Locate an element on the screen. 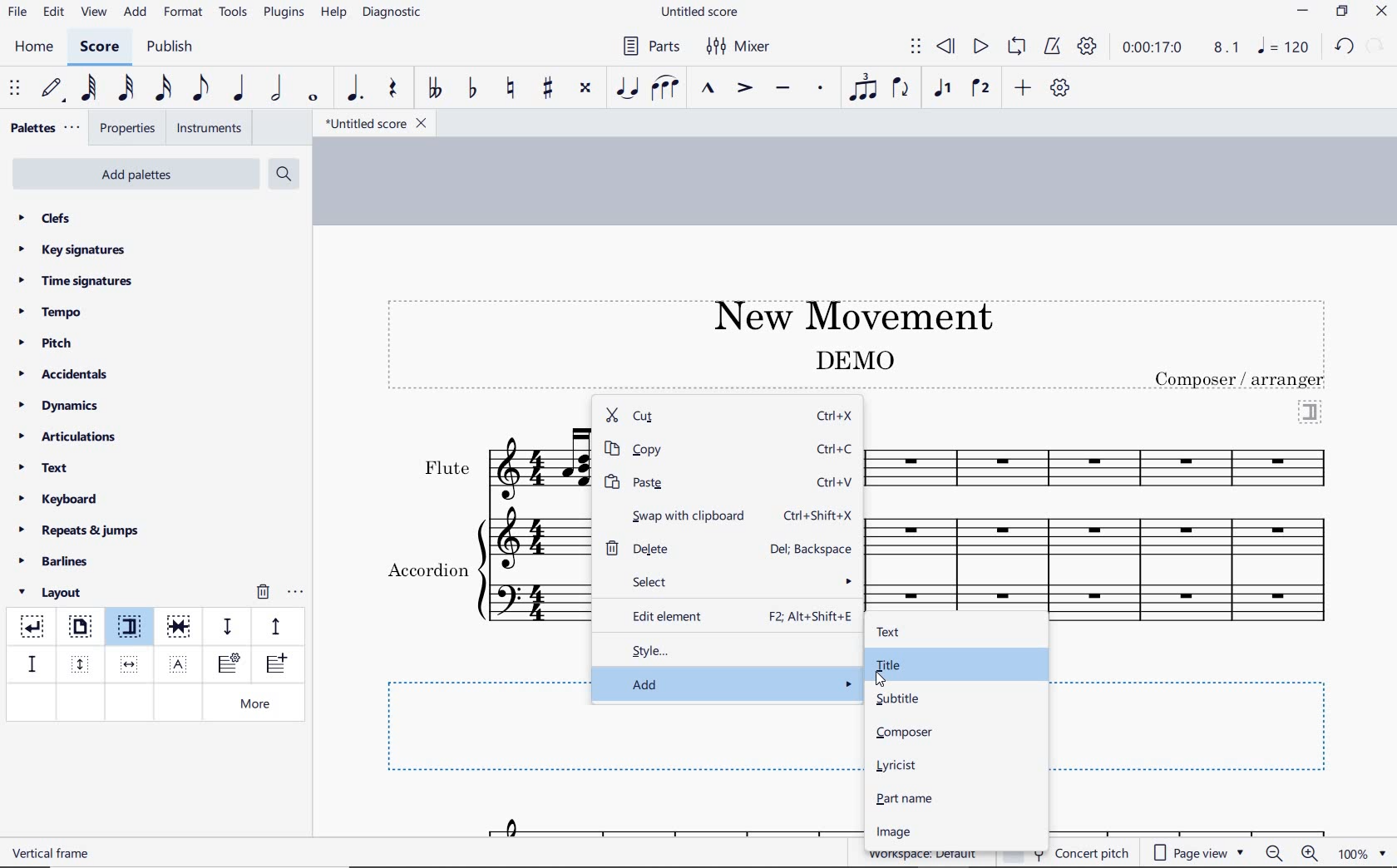 The image size is (1397, 868). text is located at coordinates (427, 572).